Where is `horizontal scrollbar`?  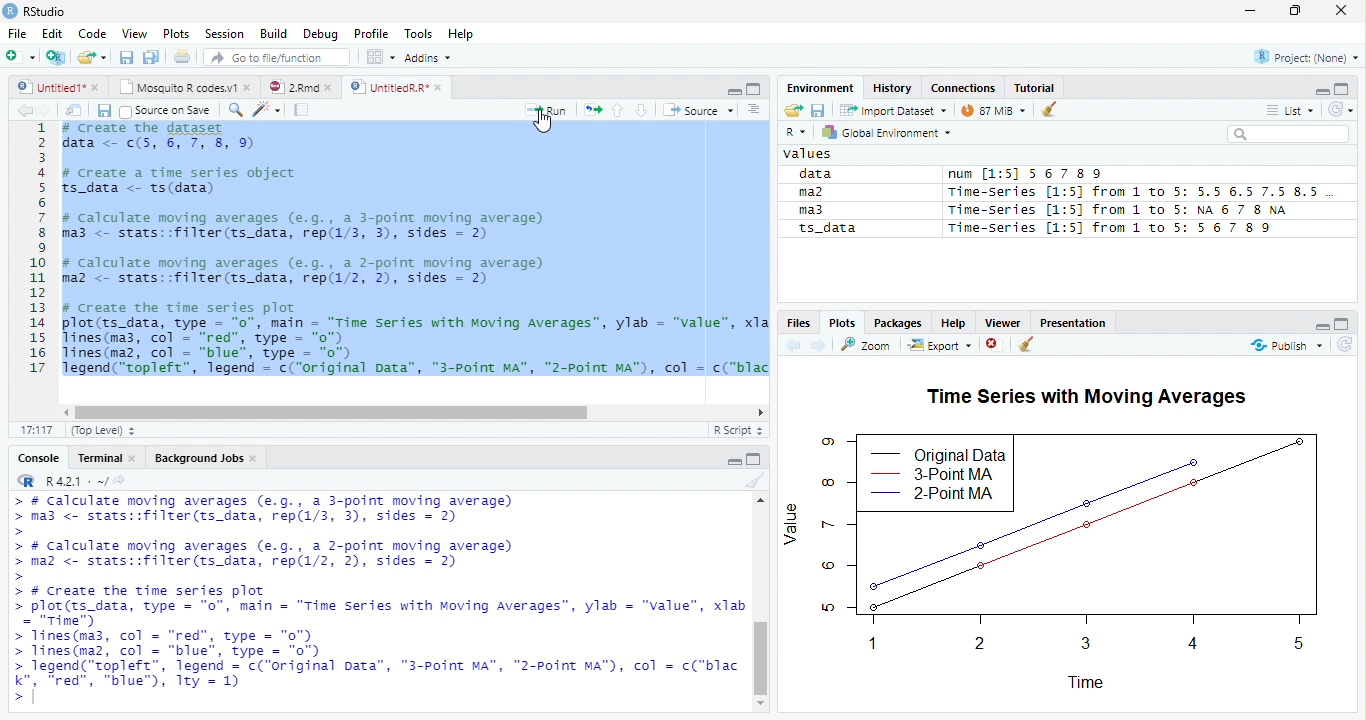 horizontal scrollbar is located at coordinates (332, 413).